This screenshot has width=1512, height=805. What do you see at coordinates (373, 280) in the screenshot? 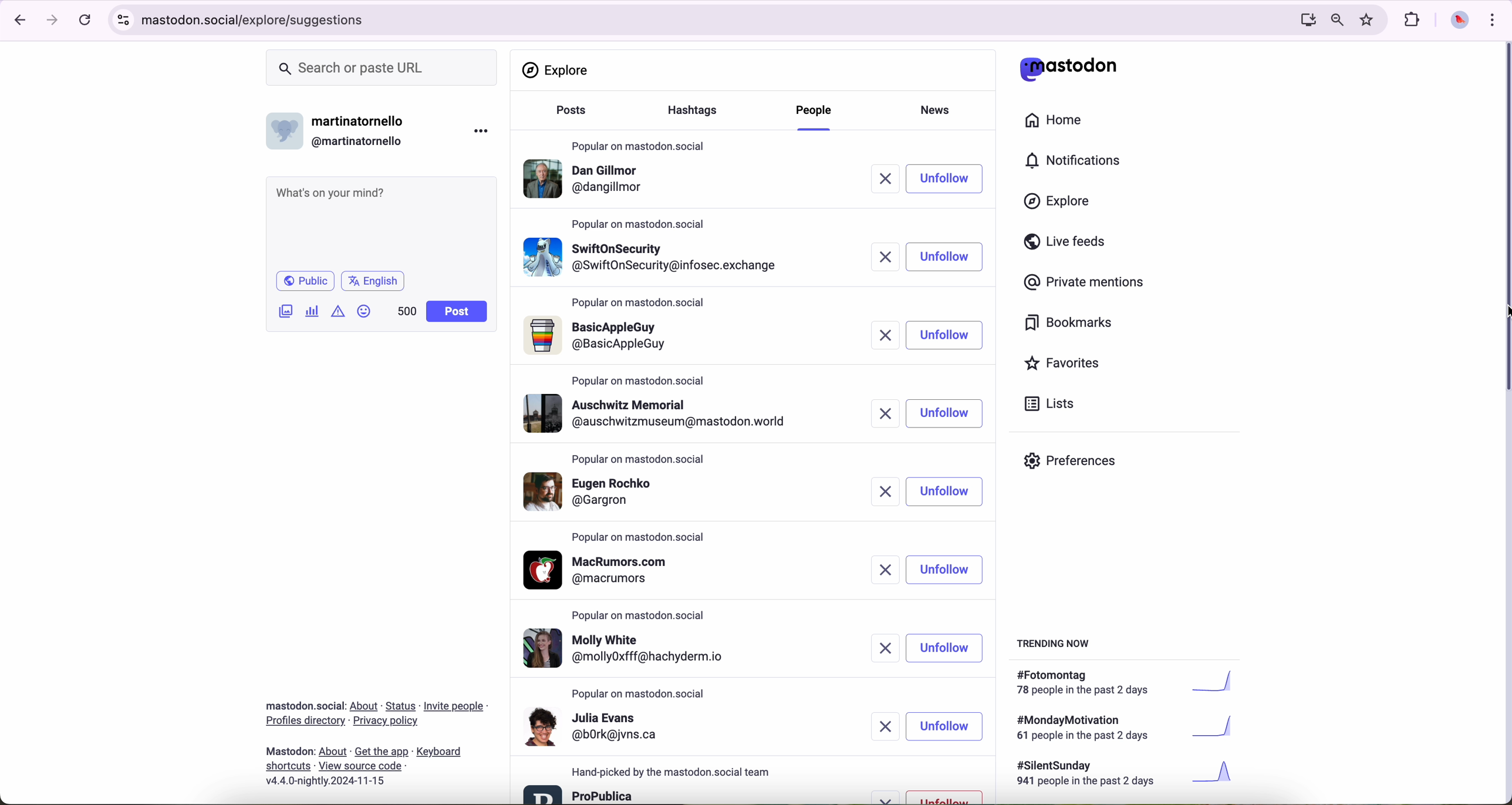
I see `language` at bounding box center [373, 280].